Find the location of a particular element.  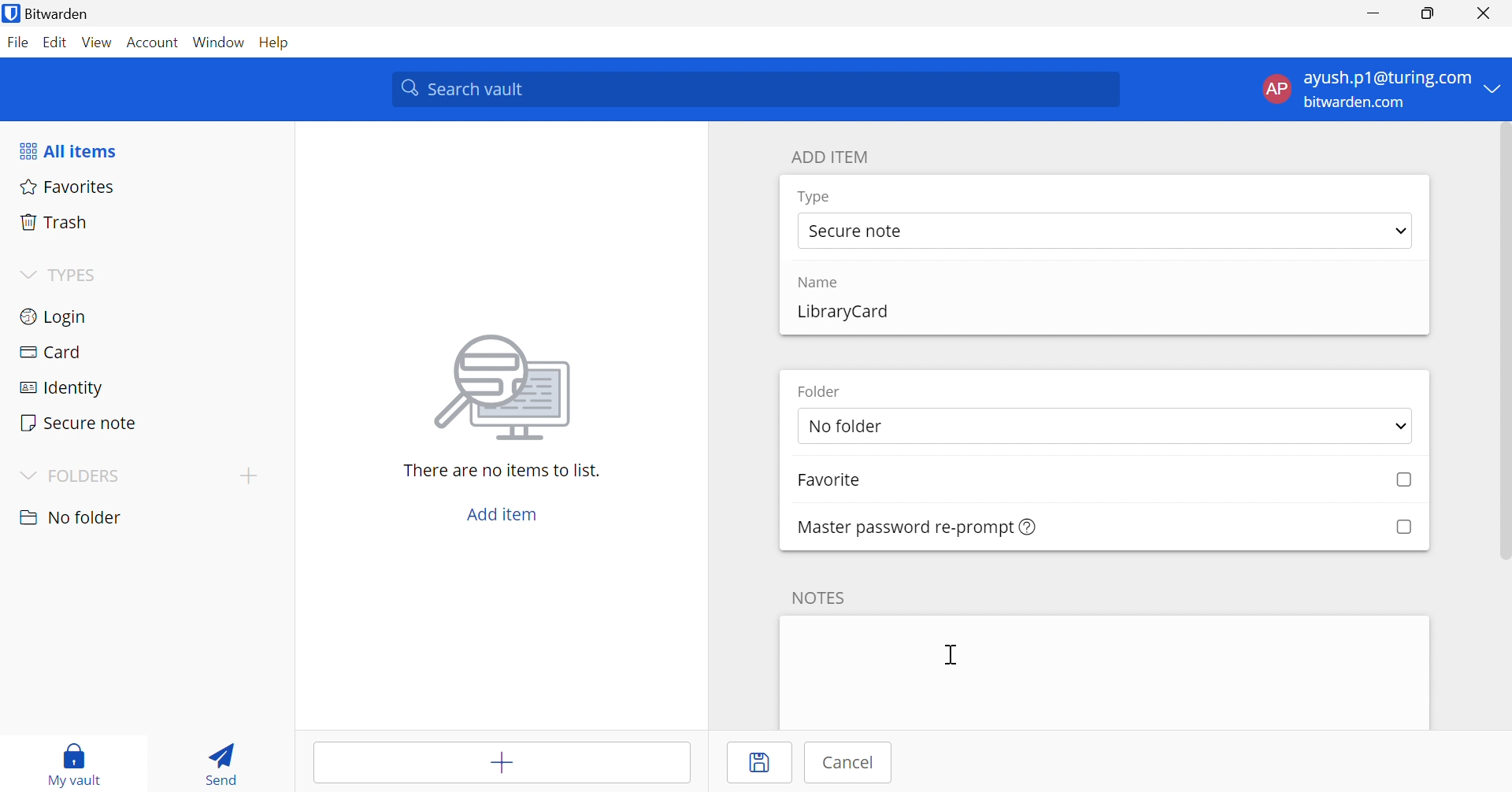

FOLDERS is located at coordinates (72, 477).